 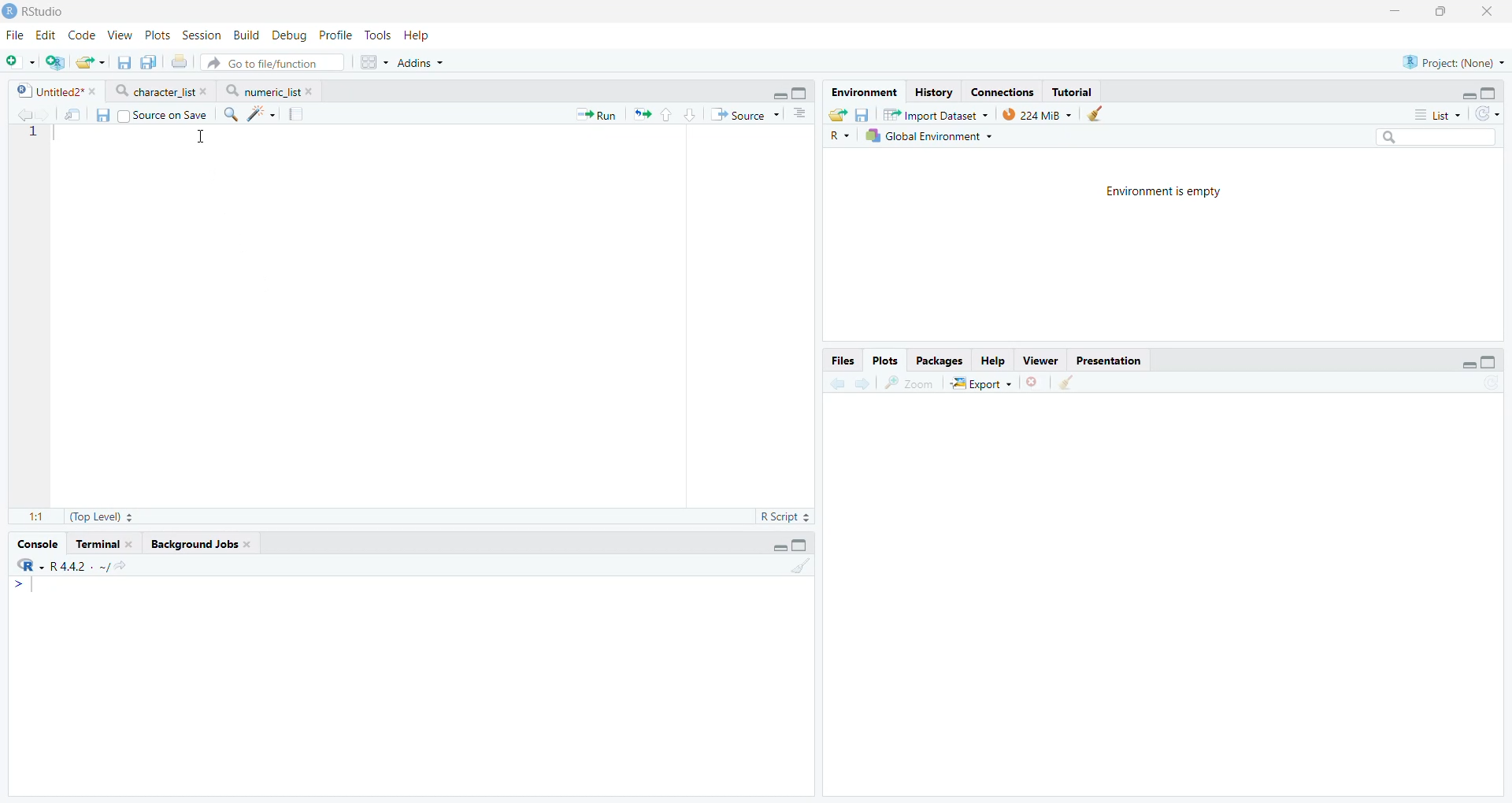 What do you see at coordinates (418, 64) in the screenshot?
I see `Addins` at bounding box center [418, 64].